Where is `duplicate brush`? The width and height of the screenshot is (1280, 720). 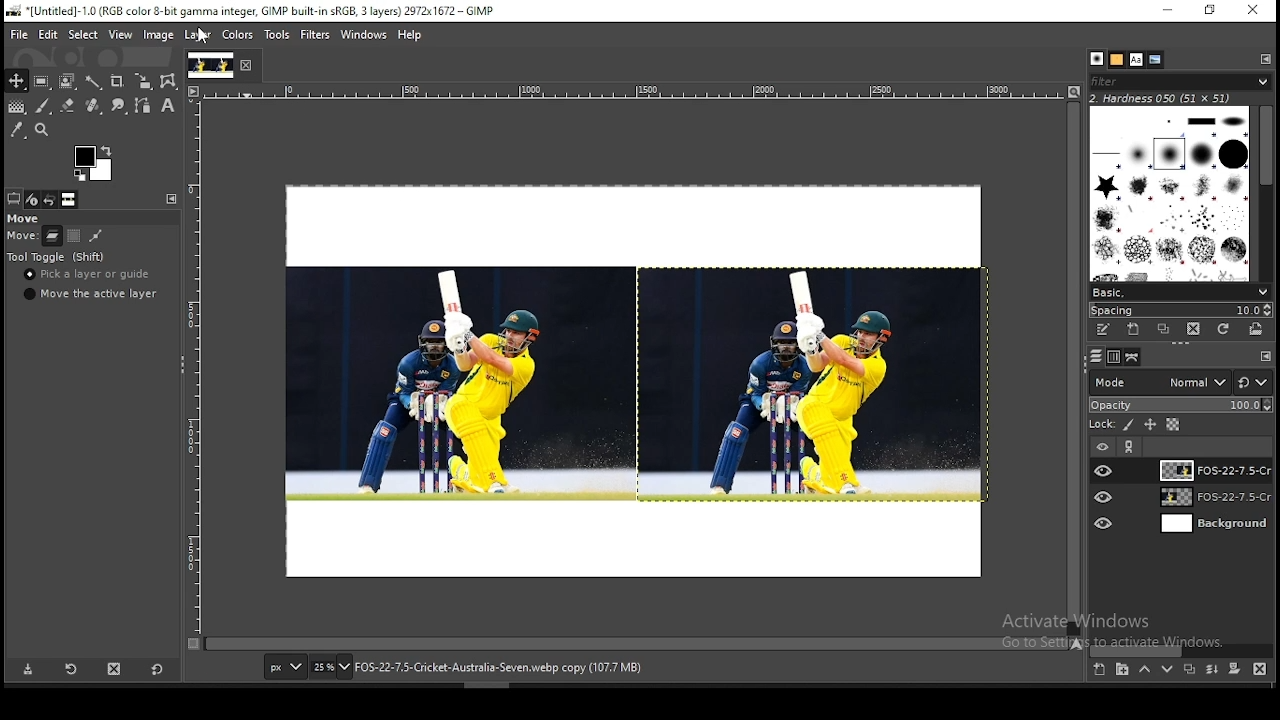 duplicate brush is located at coordinates (1164, 329).